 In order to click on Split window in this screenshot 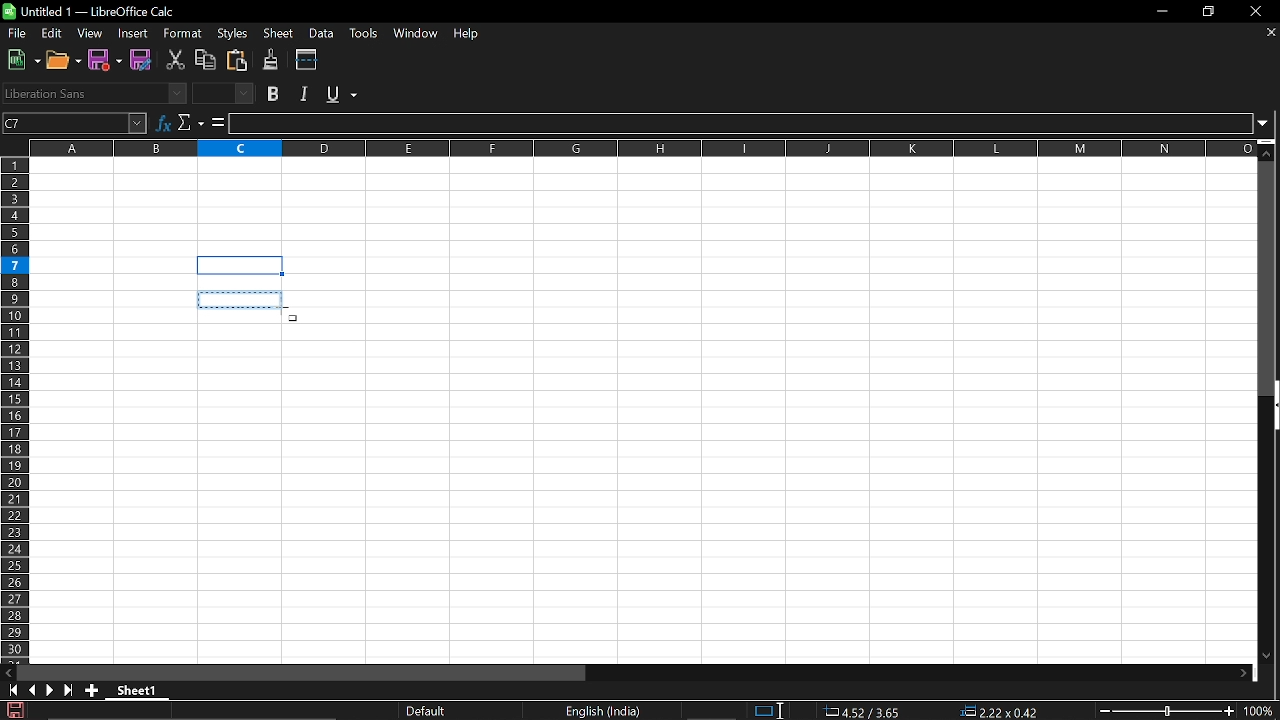, I will do `click(307, 59)`.